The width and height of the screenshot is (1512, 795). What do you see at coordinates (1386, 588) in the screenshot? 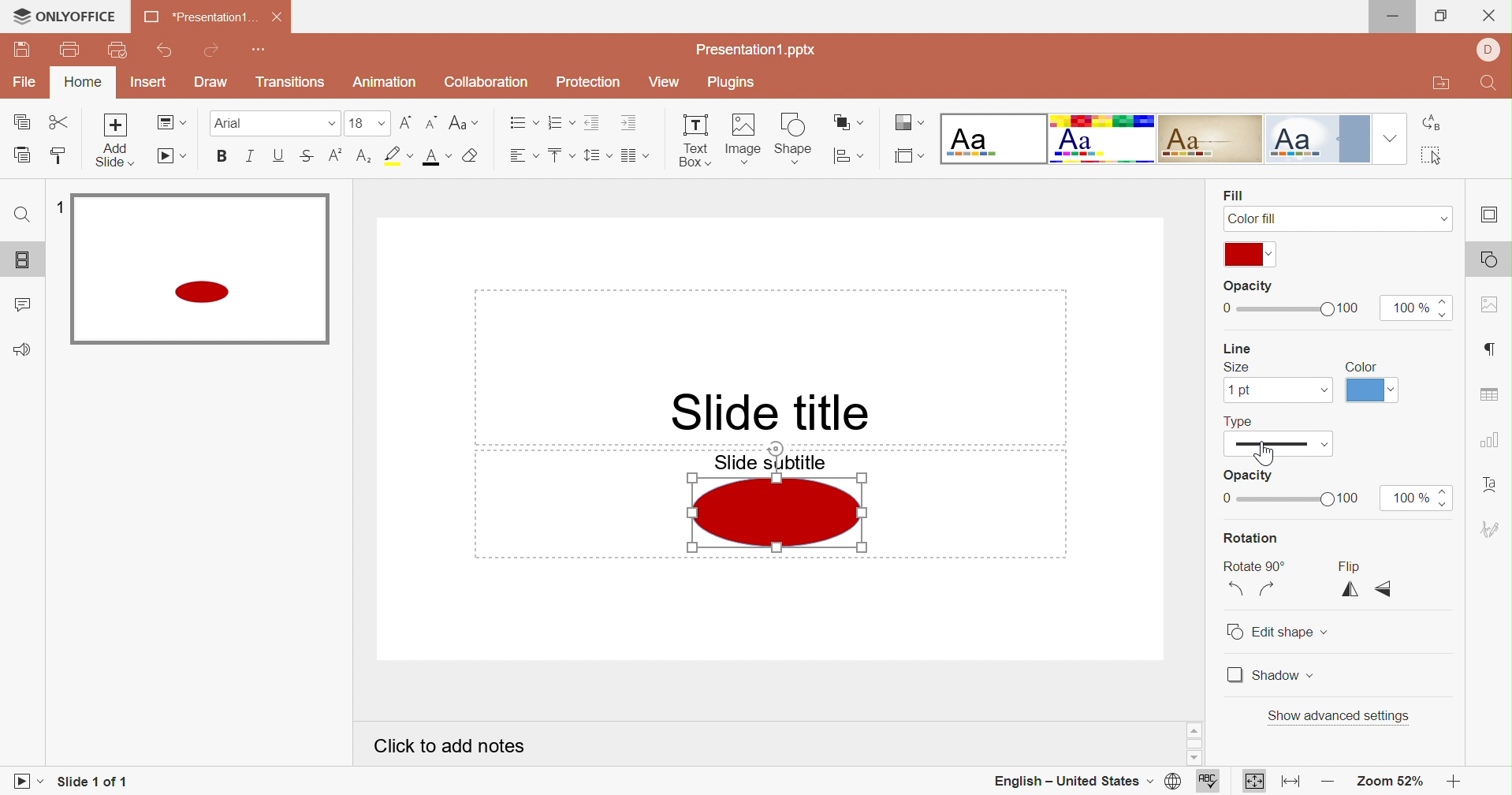
I see `Flip vertically` at bounding box center [1386, 588].